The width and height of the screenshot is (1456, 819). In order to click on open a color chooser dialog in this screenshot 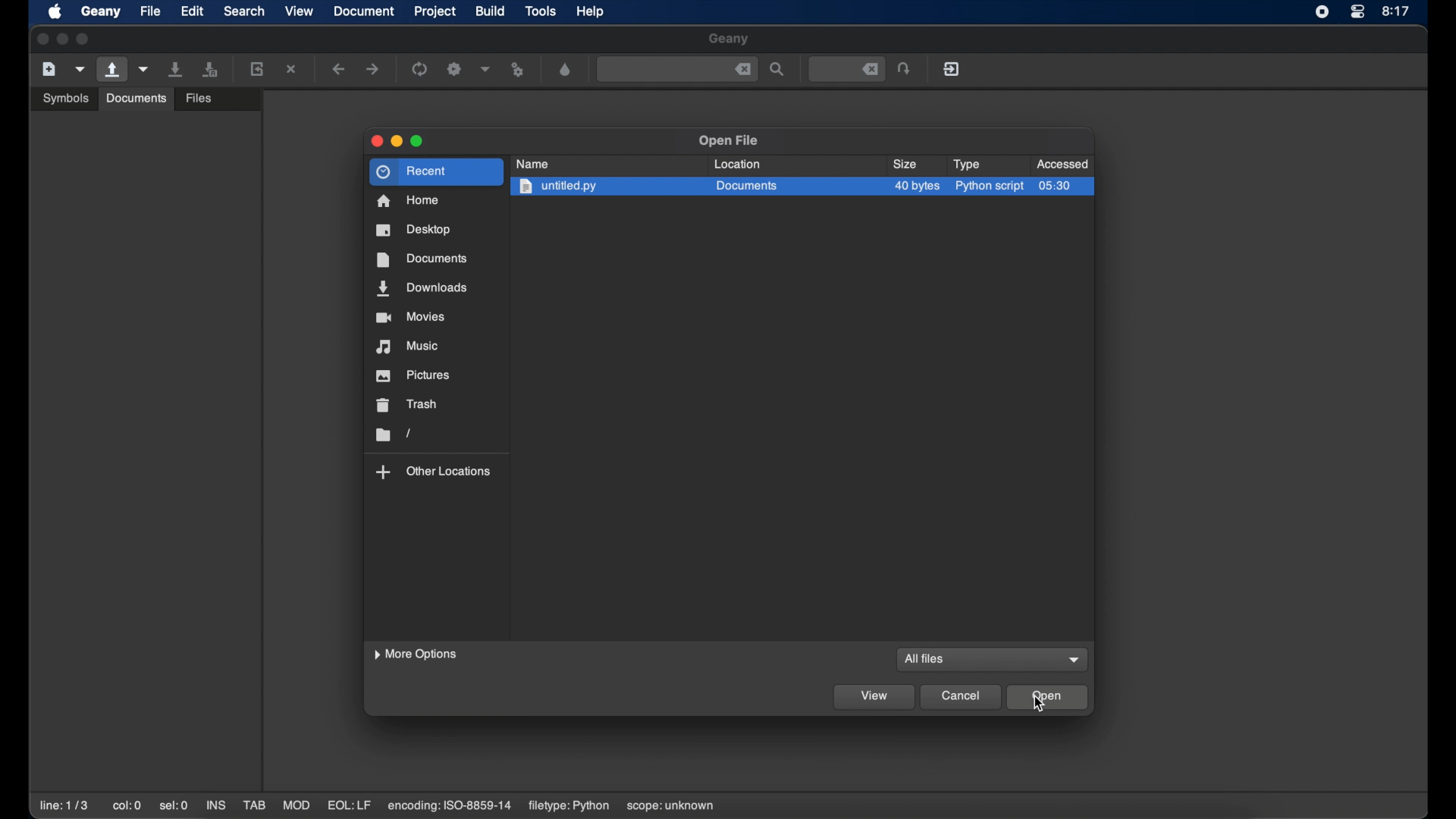, I will do `click(566, 70)`.